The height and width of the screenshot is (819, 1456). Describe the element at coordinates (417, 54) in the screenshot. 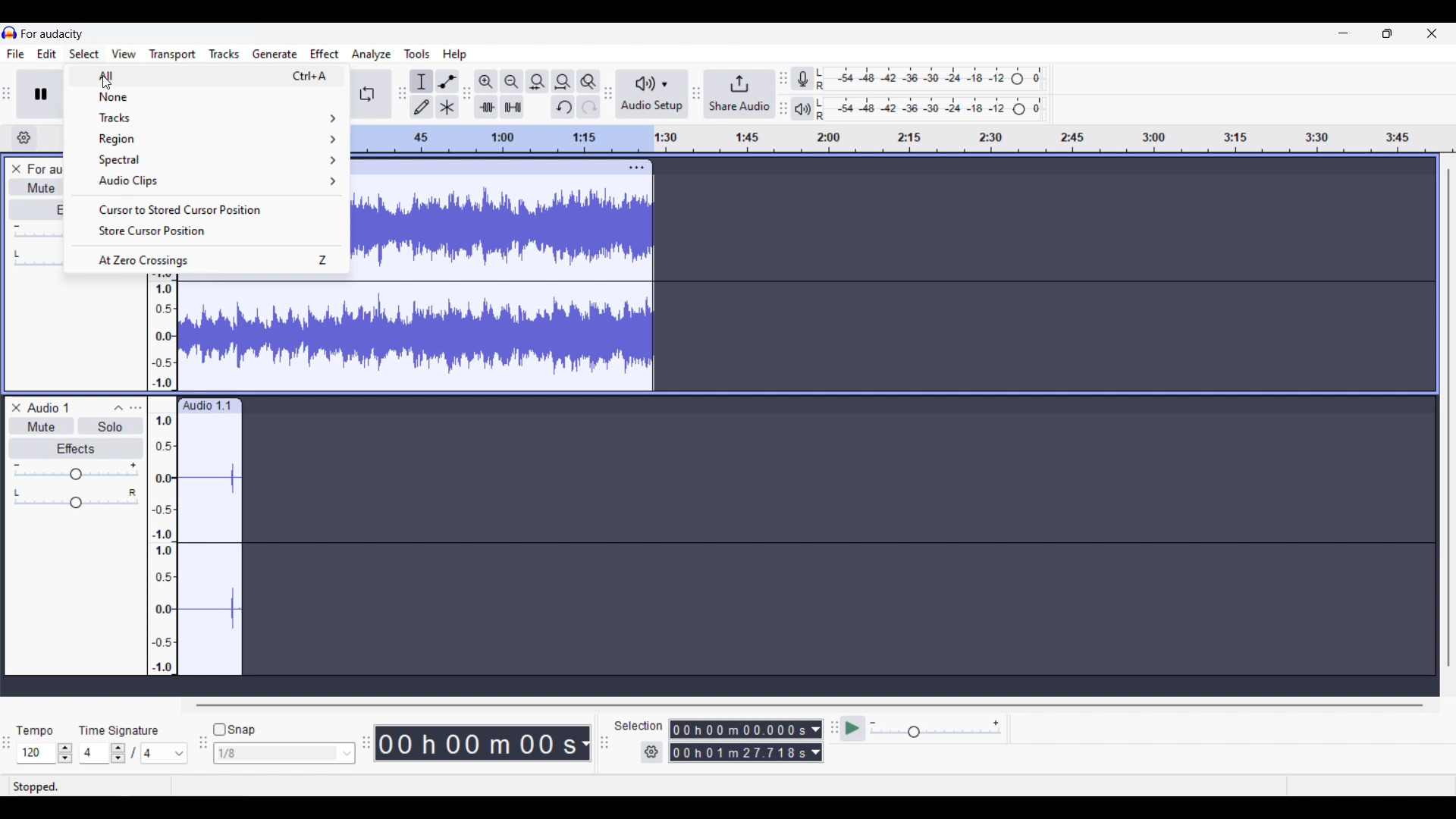

I see `Tools` at that location.